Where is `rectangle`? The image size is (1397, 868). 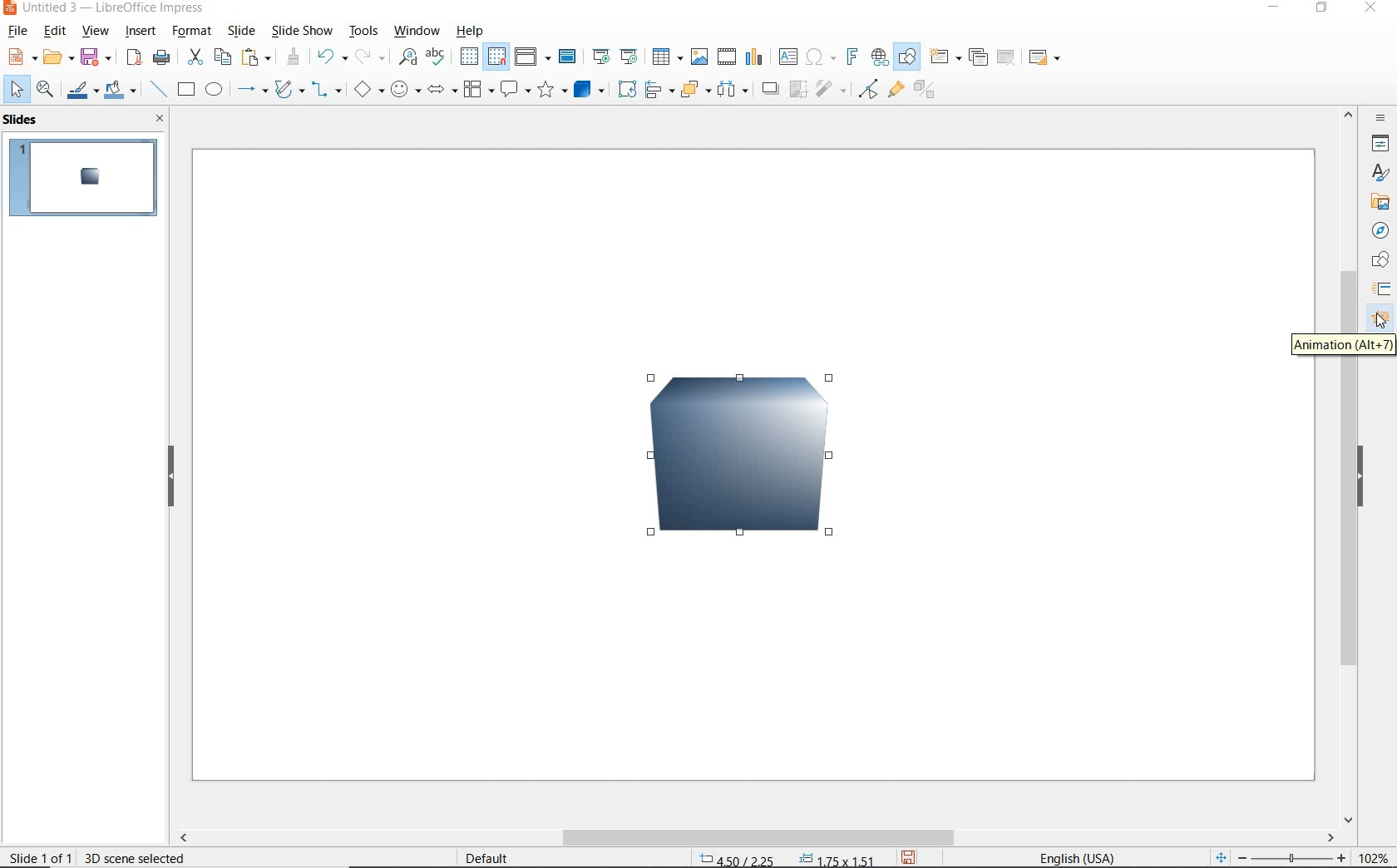
rectangle is located at coordinates (187, 91).